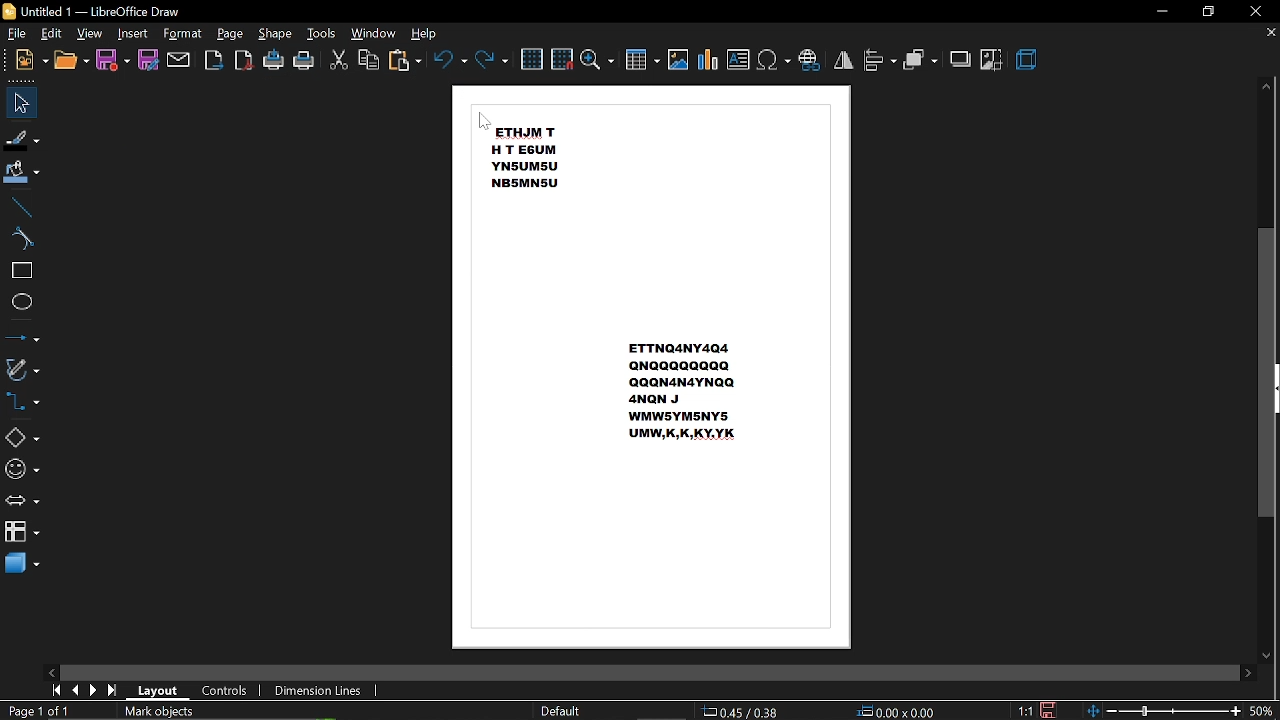  What do you see at coordinates (21, 205) in the screenshot?
I see `line` at bounding box center [21, 205].